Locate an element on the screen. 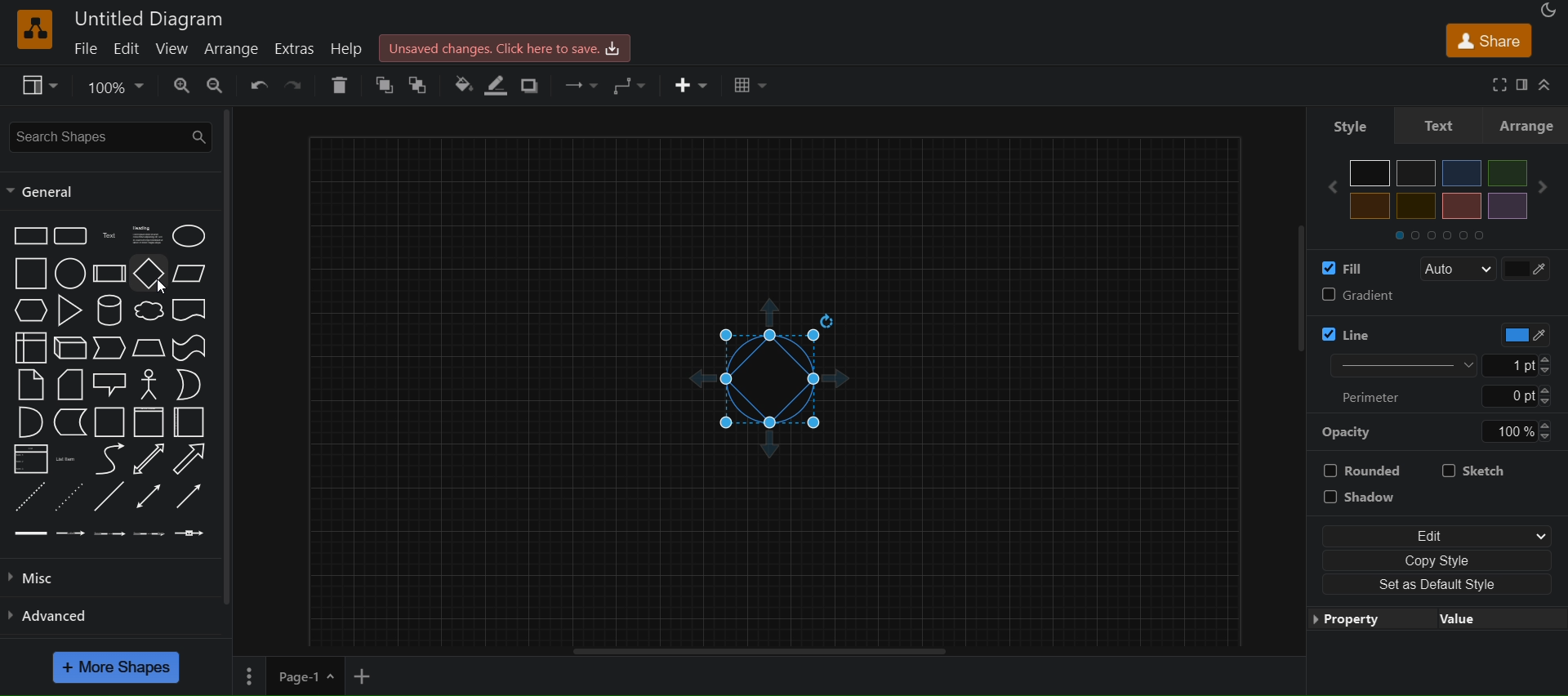  arrow is located at coordinates (189, 459).